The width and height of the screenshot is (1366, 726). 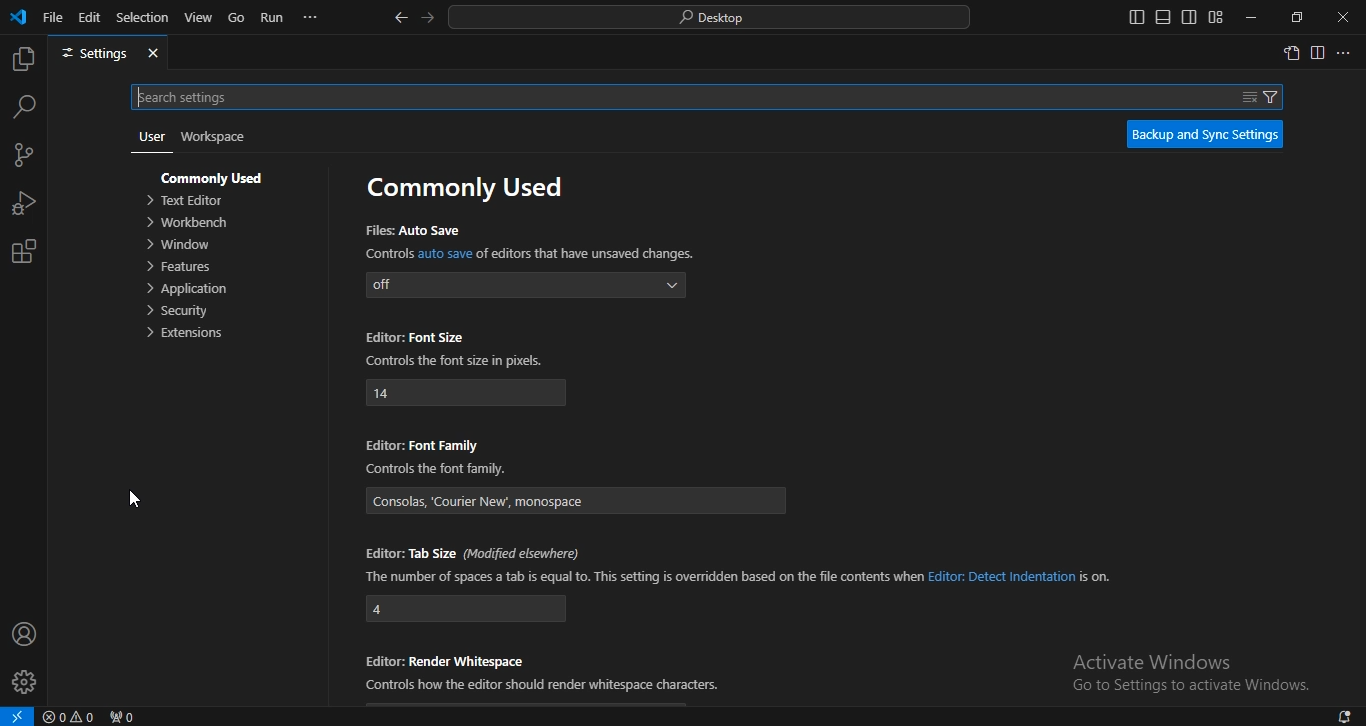 What do you see at coordinates (1342, 17) in the screenshot?
I see `close` at bounding box center [1342, 17].